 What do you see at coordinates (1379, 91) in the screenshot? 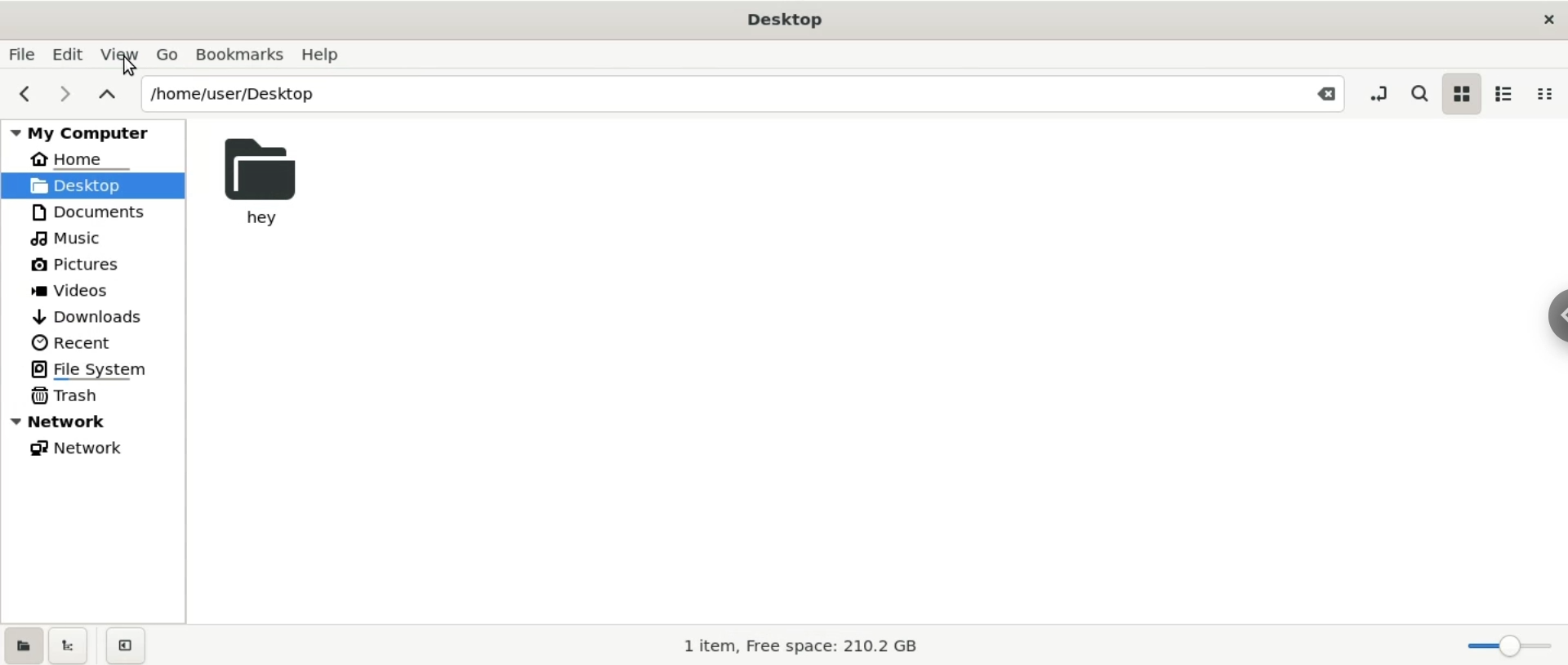
I see `toggle location entry` at bounding box center [1379, 91].